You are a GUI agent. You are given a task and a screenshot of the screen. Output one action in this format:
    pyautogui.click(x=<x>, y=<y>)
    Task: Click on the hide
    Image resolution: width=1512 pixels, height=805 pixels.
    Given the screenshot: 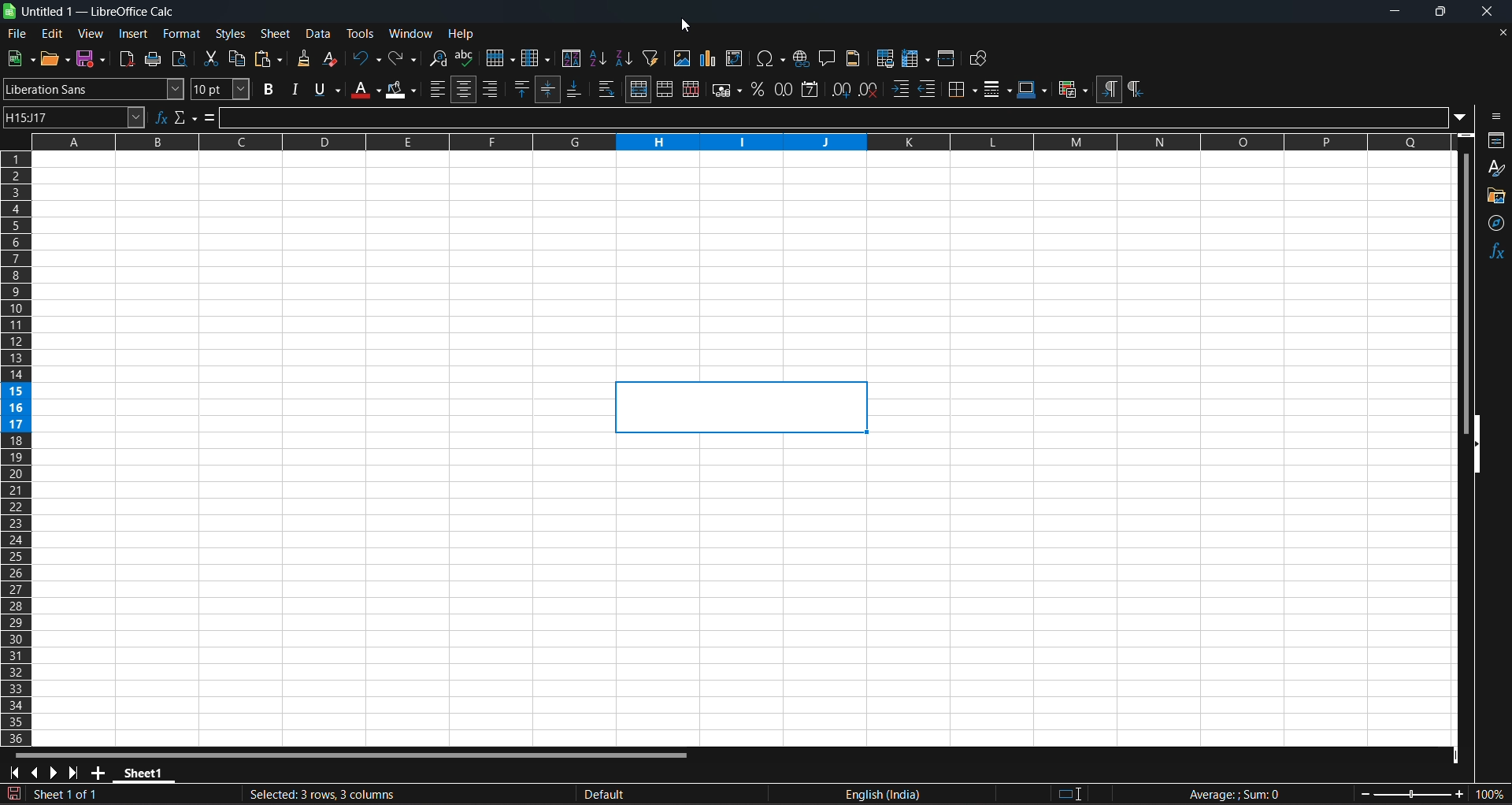 What is the action you would take?
    pyautogui.click(x=1479, y=448)
    